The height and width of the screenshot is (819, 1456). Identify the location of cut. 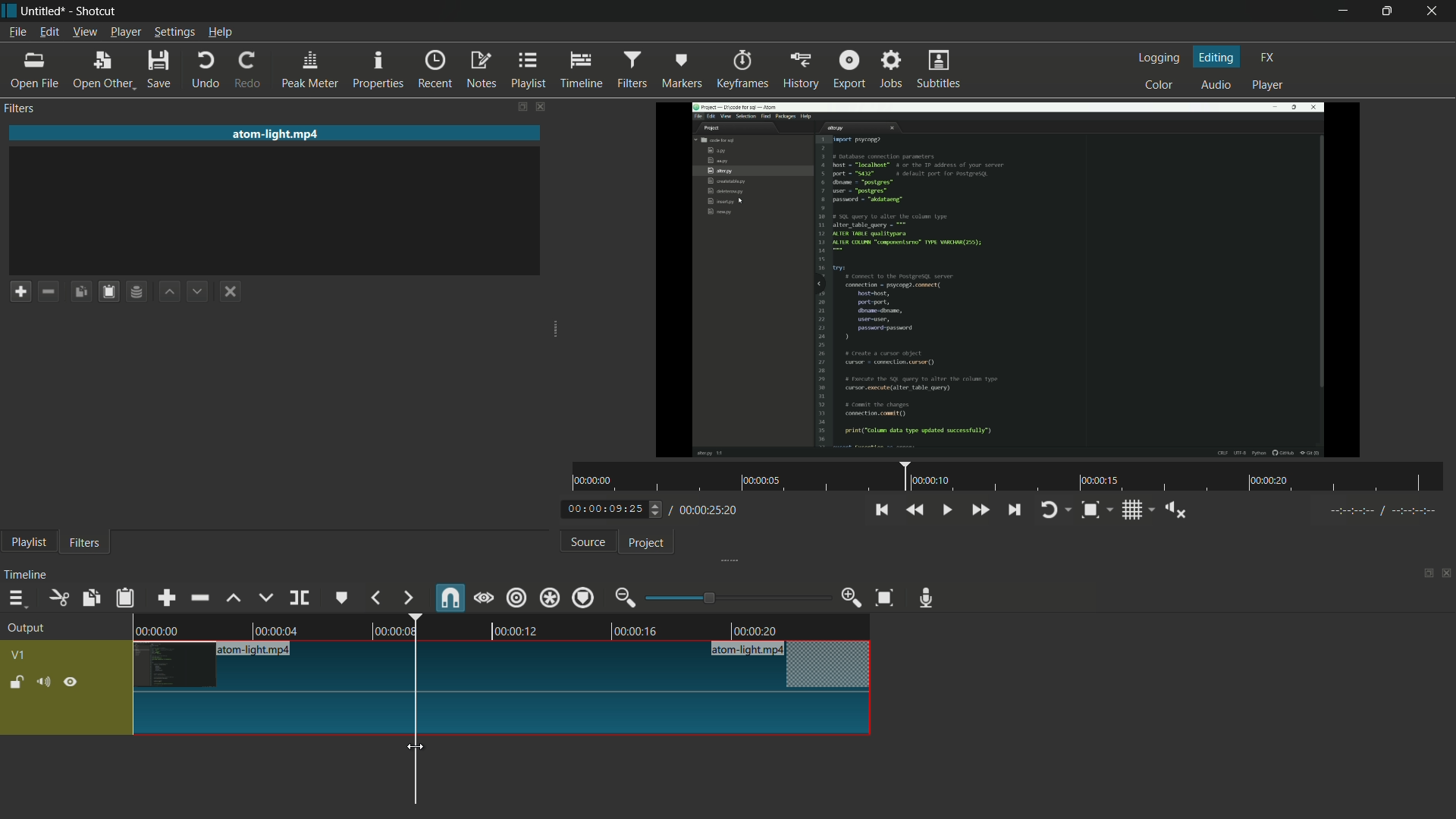
(60, 598).